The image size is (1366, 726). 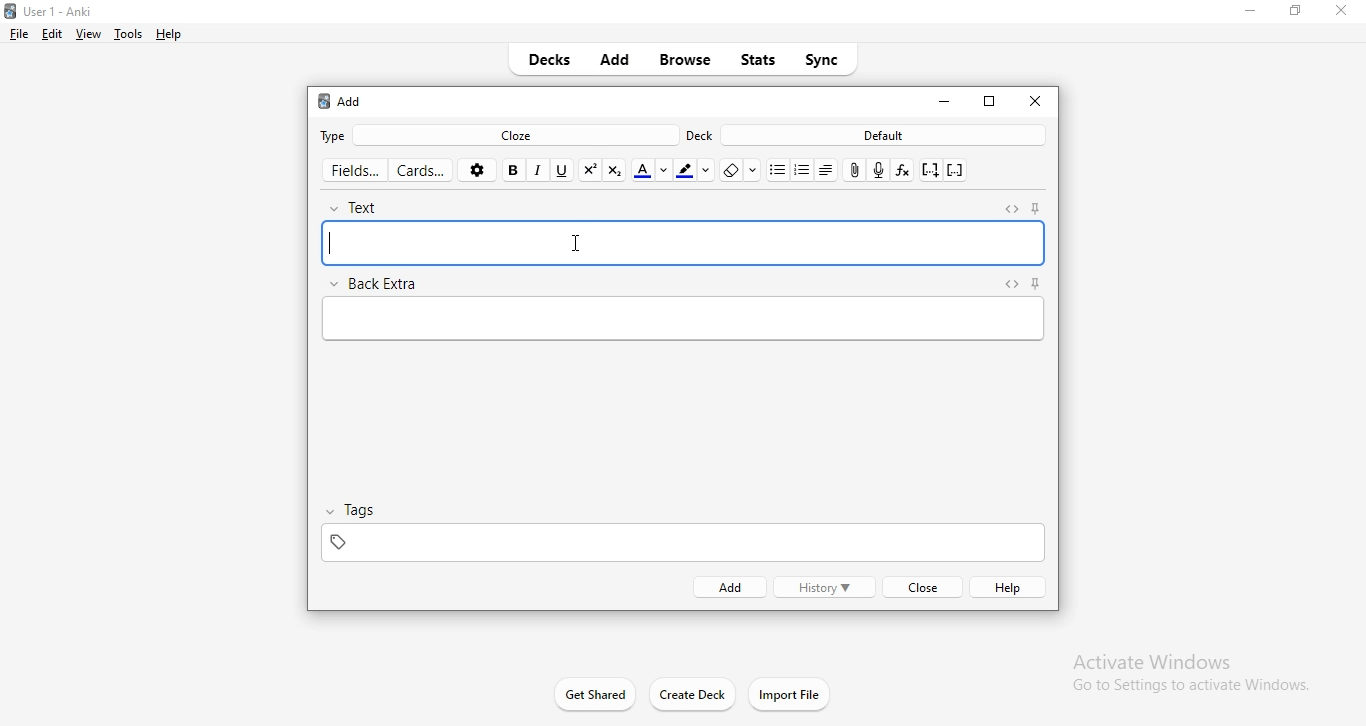 I want to click on import files, so click(x=791, y=694).